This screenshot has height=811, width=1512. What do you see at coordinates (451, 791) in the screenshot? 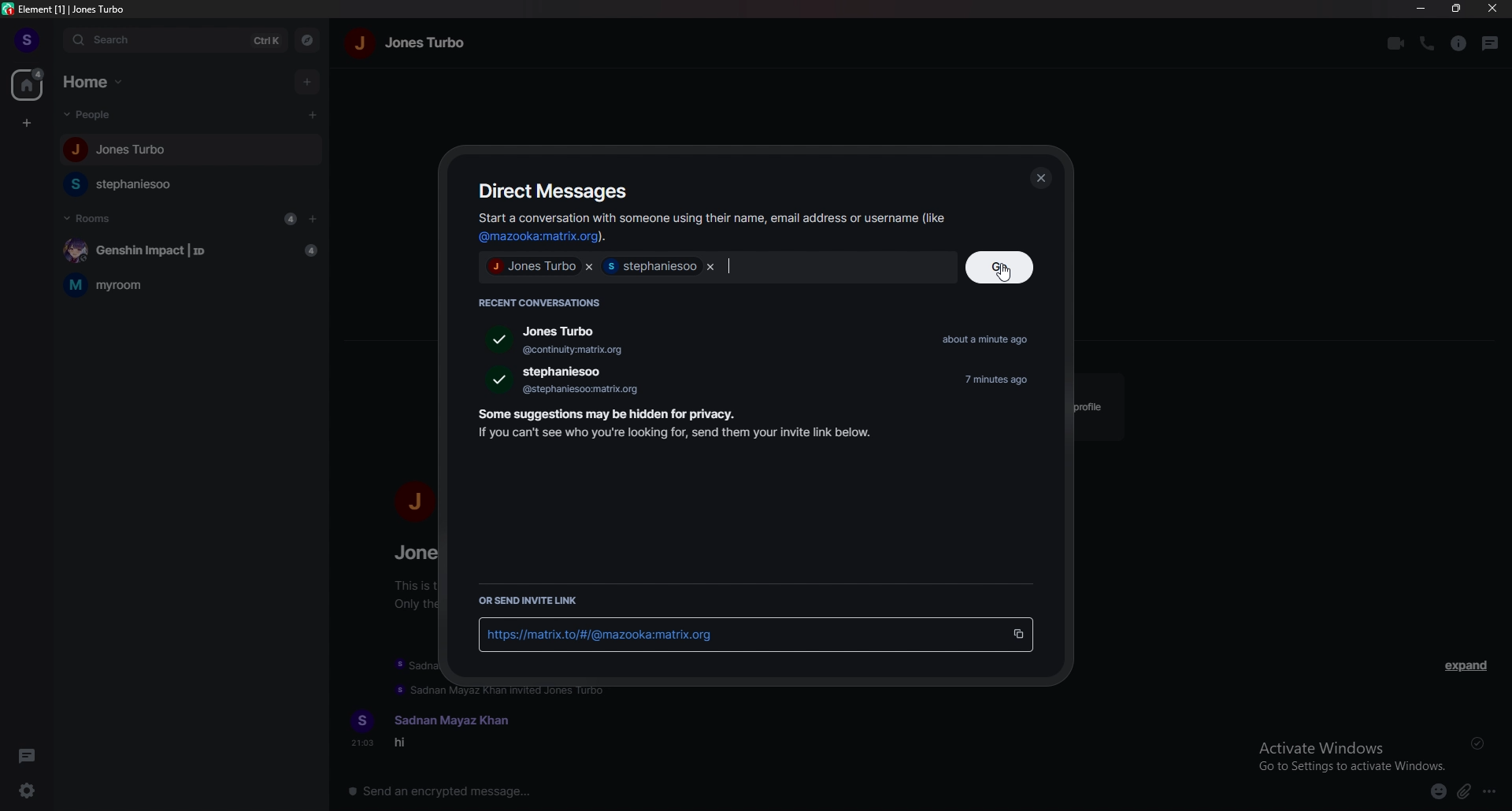
I see `send an encrypted message` at bounding box center [451, 791].